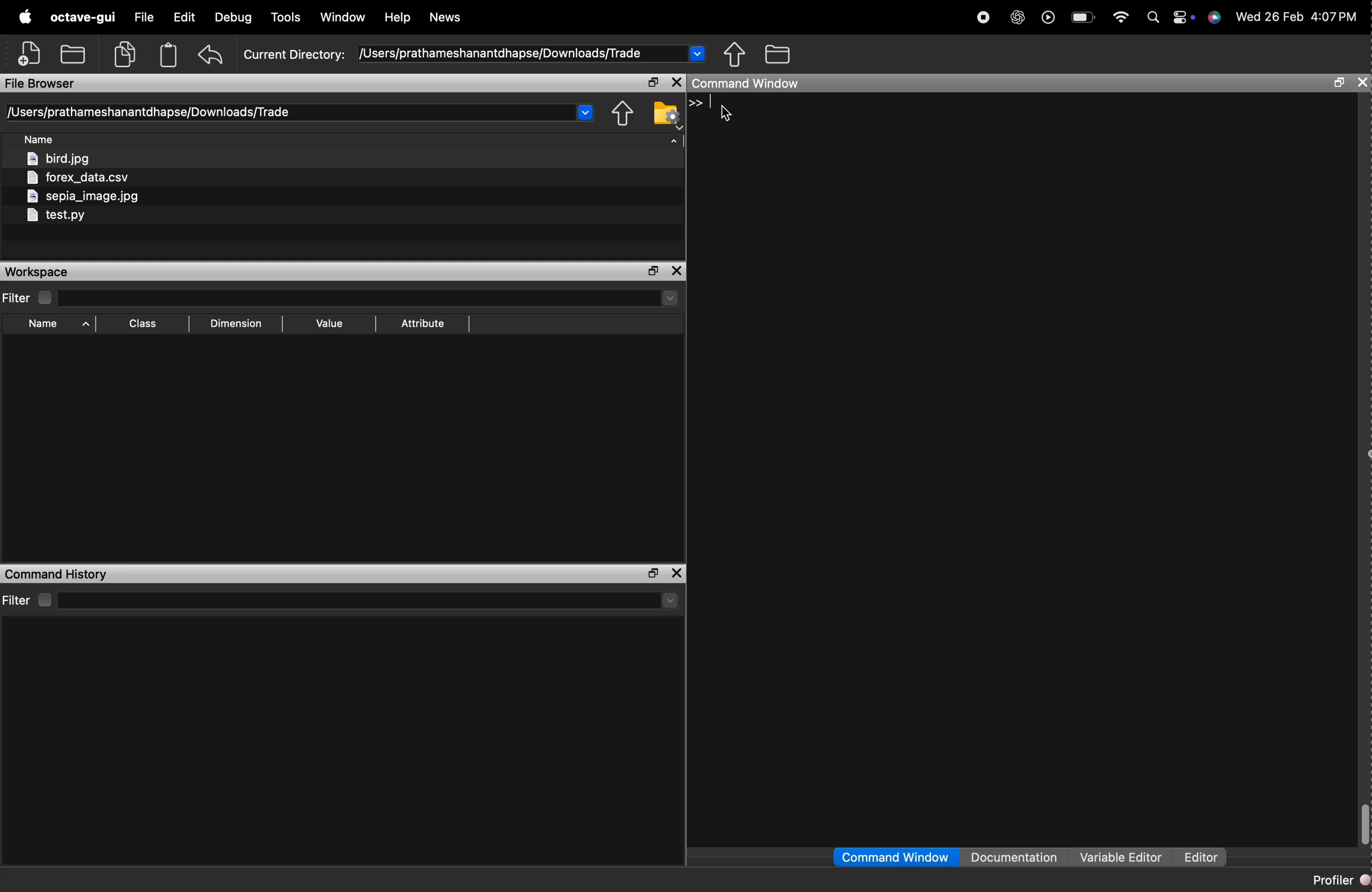 The width and height of the screenshot is (1372, 892). What do you see at coordinates (1048, 18) in the screenshot?
I see `play` at bounding box center [1048, 18].